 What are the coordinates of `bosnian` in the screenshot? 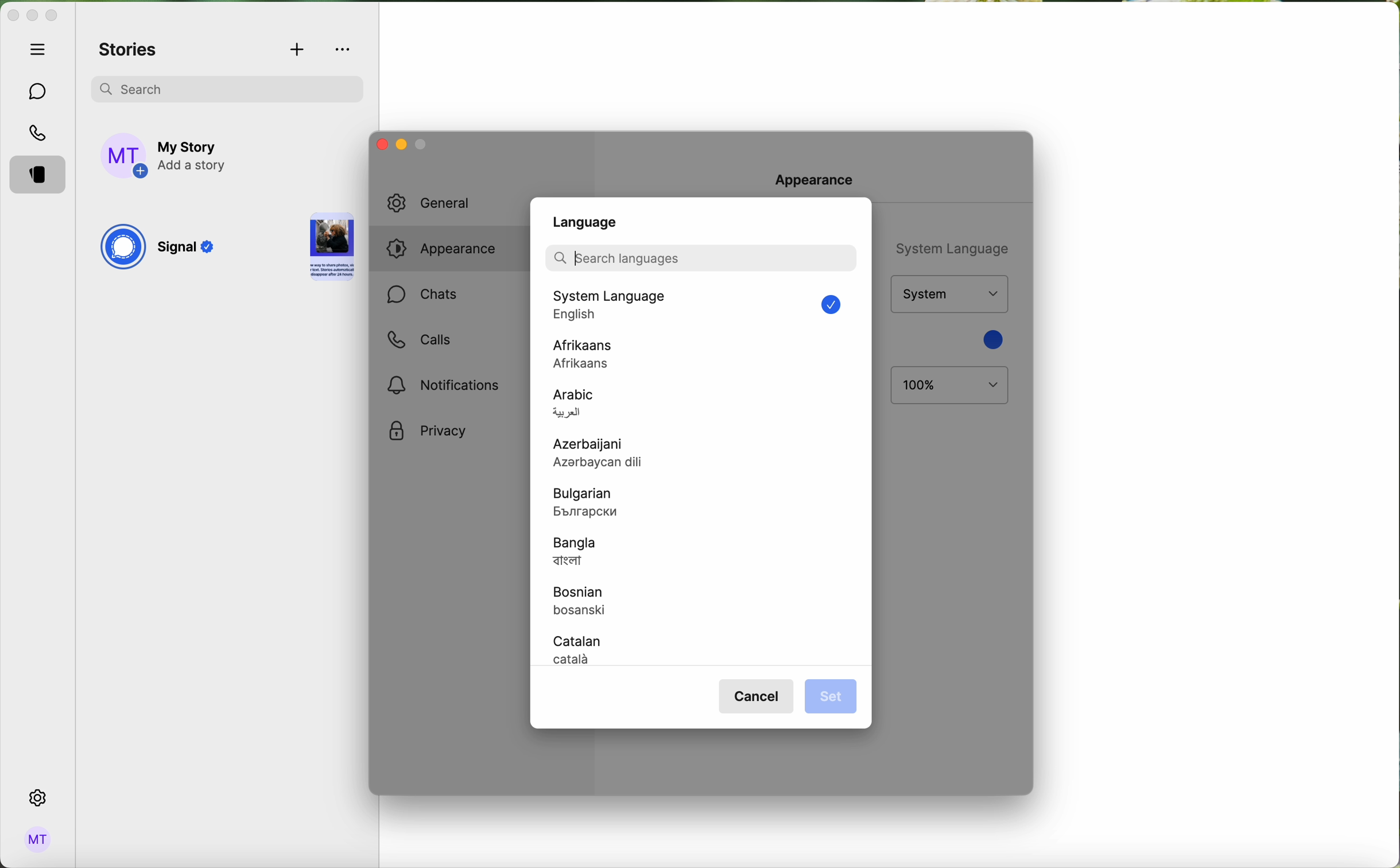 It's located at (586, 603).